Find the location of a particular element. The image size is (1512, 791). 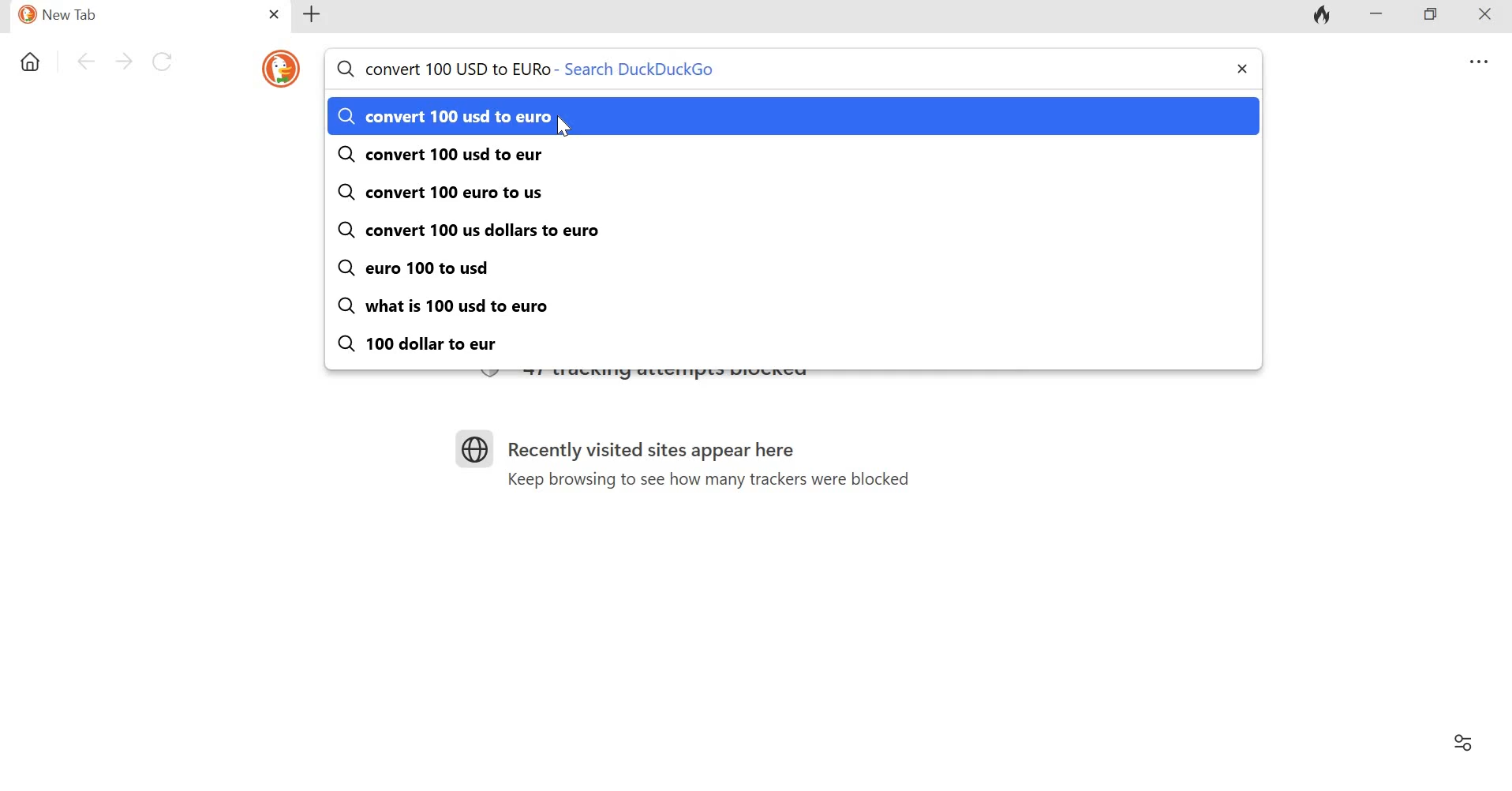

Fire icon is located at coordinates (1319, 17).